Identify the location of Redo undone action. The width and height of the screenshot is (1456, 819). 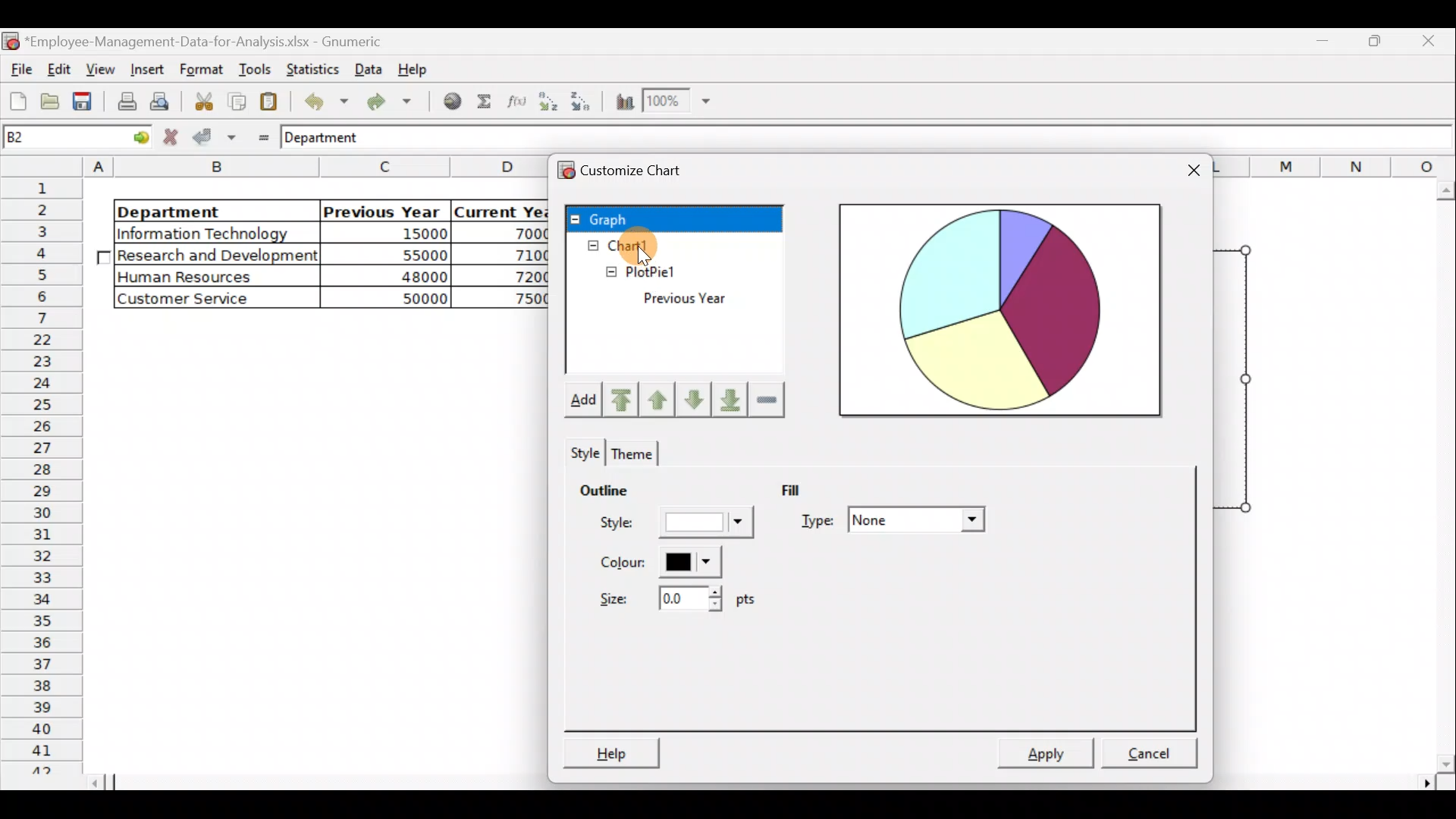
(394, 102).